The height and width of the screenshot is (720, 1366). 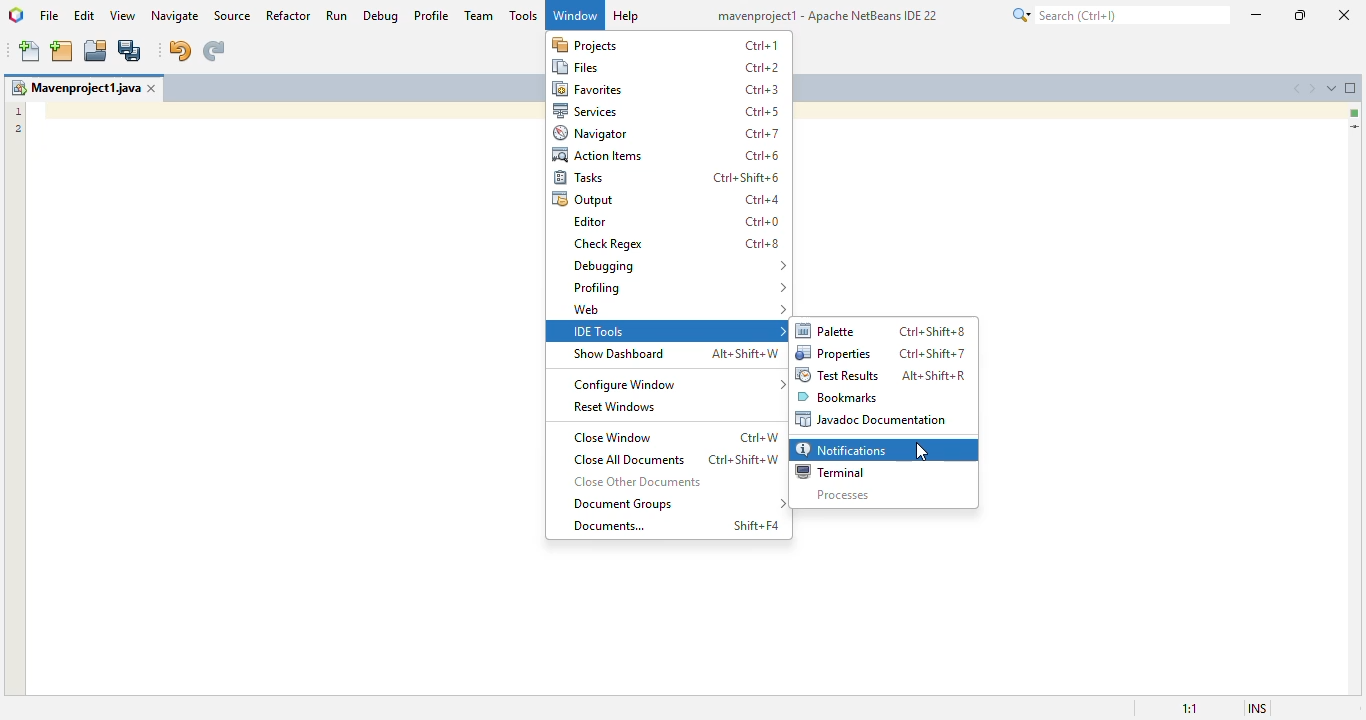 I want to click on no errors, so click(x=1355, y=113).